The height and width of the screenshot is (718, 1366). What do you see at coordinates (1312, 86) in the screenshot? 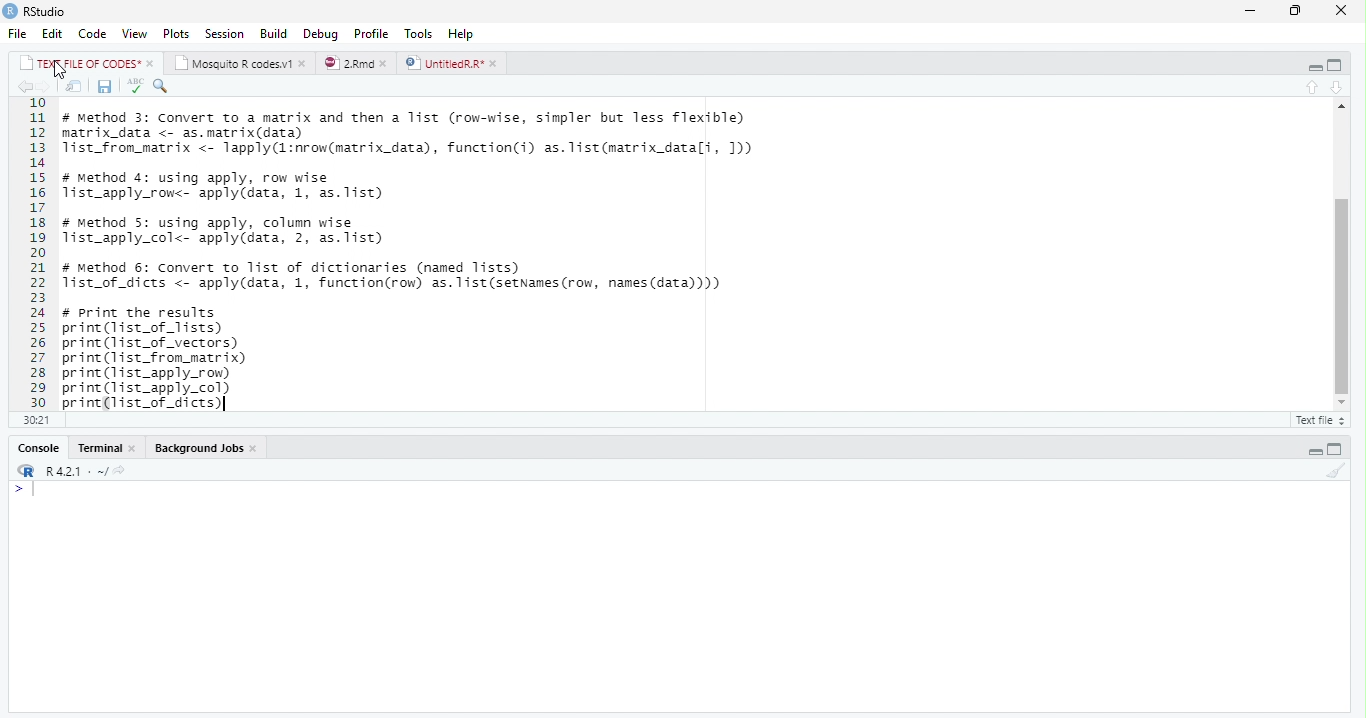
I see `Previous section` at bounding box center [1312, 86].